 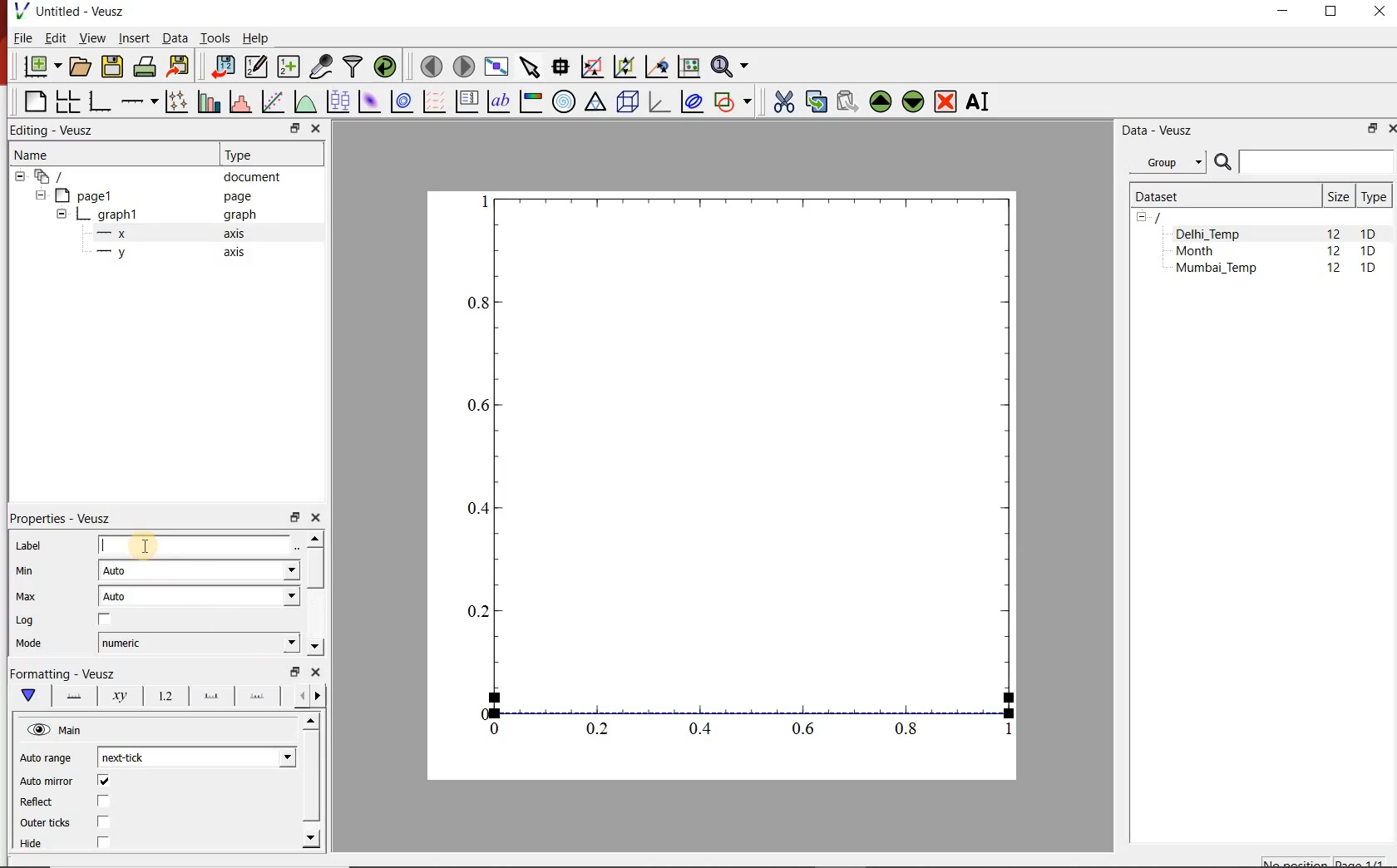 What do you see at coordinates (385, 65) in the screenshot?
I see `reload linked datasets` at bounding box center [385, 65].